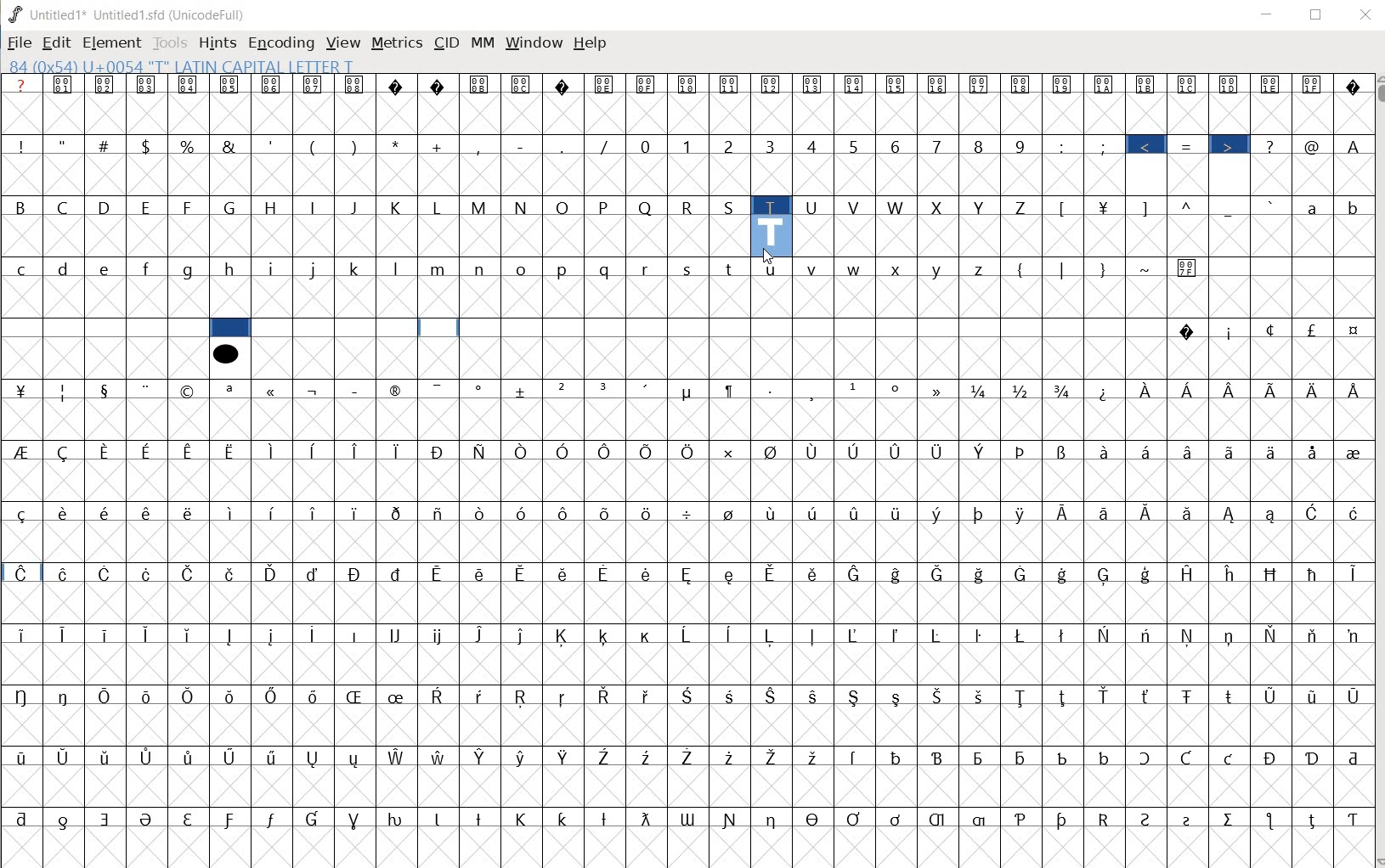 The image size is (1385, 868). Describe the element at coordinates (565, 696) in the screenshot. I see `Symbol` at that location.